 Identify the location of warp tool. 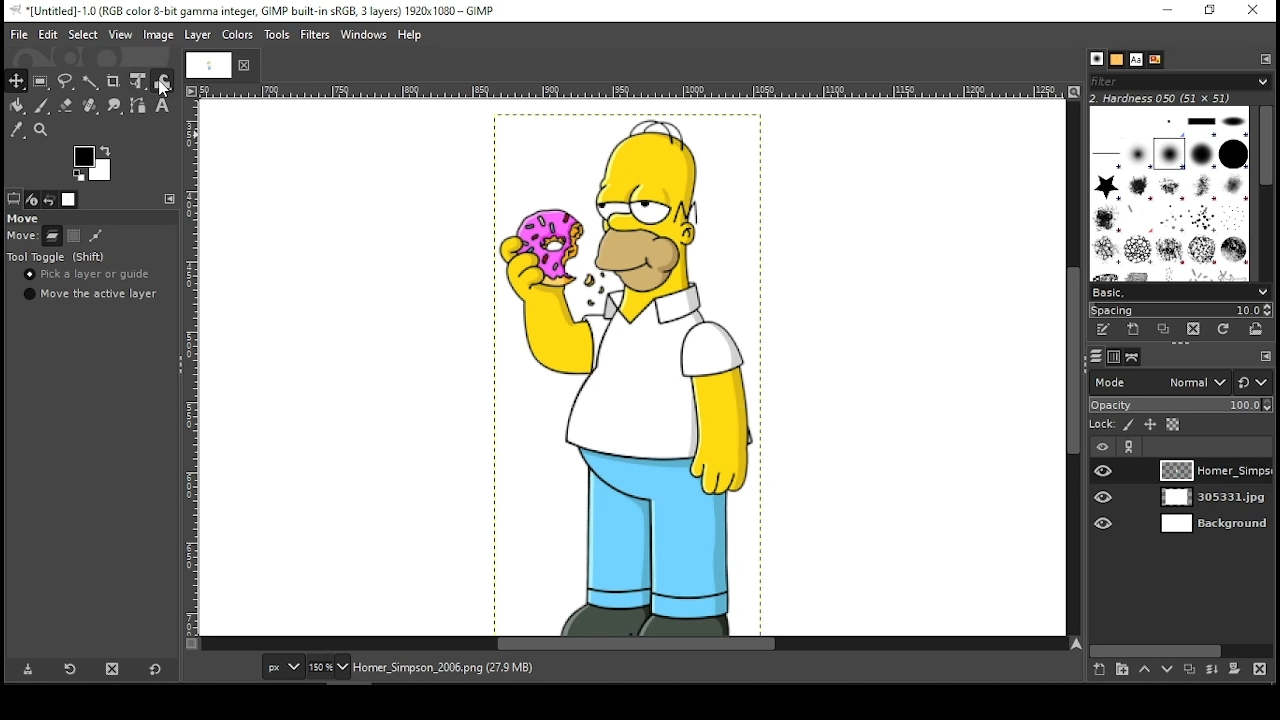
(162, 82).